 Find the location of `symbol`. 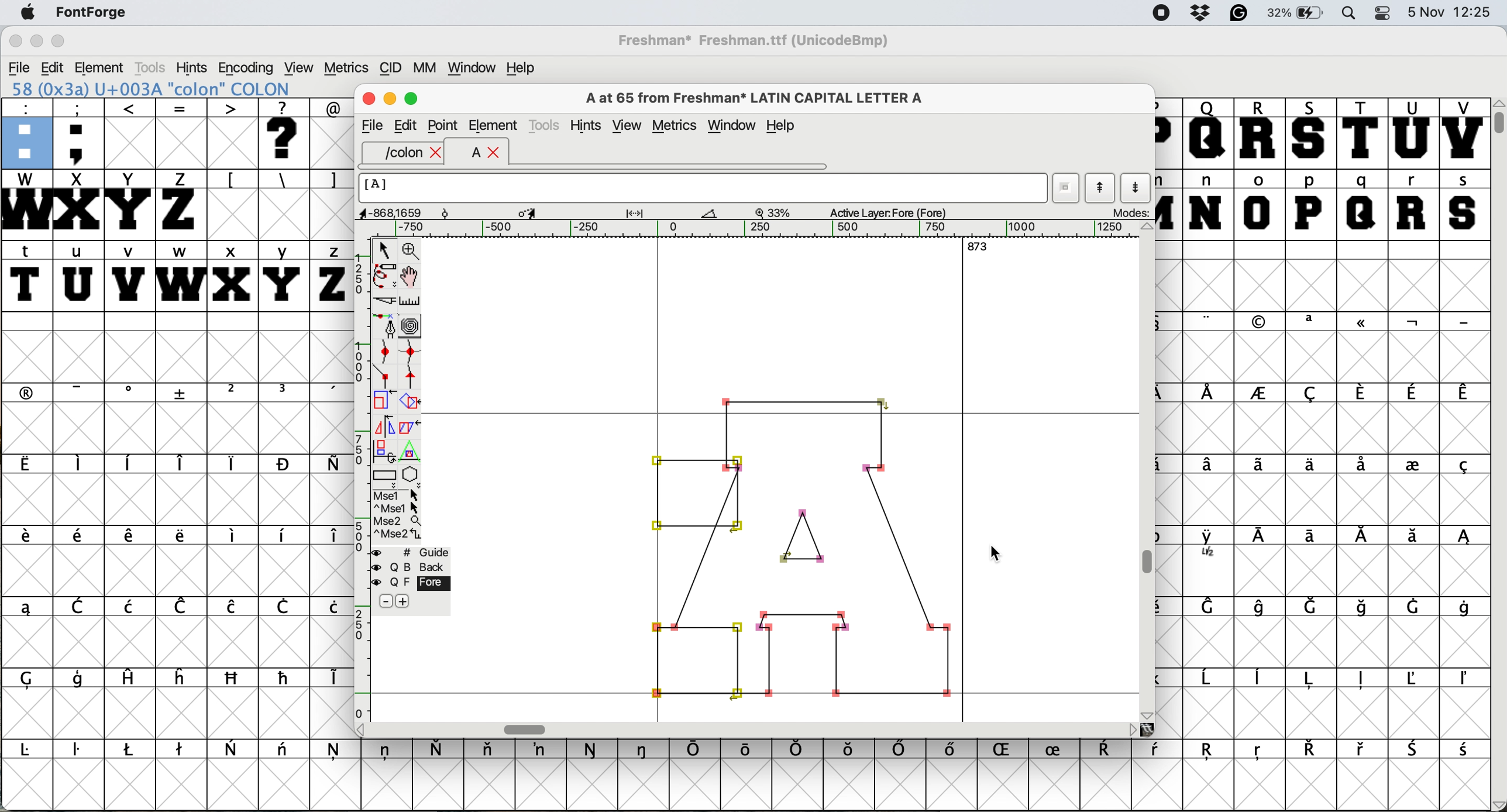

symbol is located at coordinates (1312, 393).